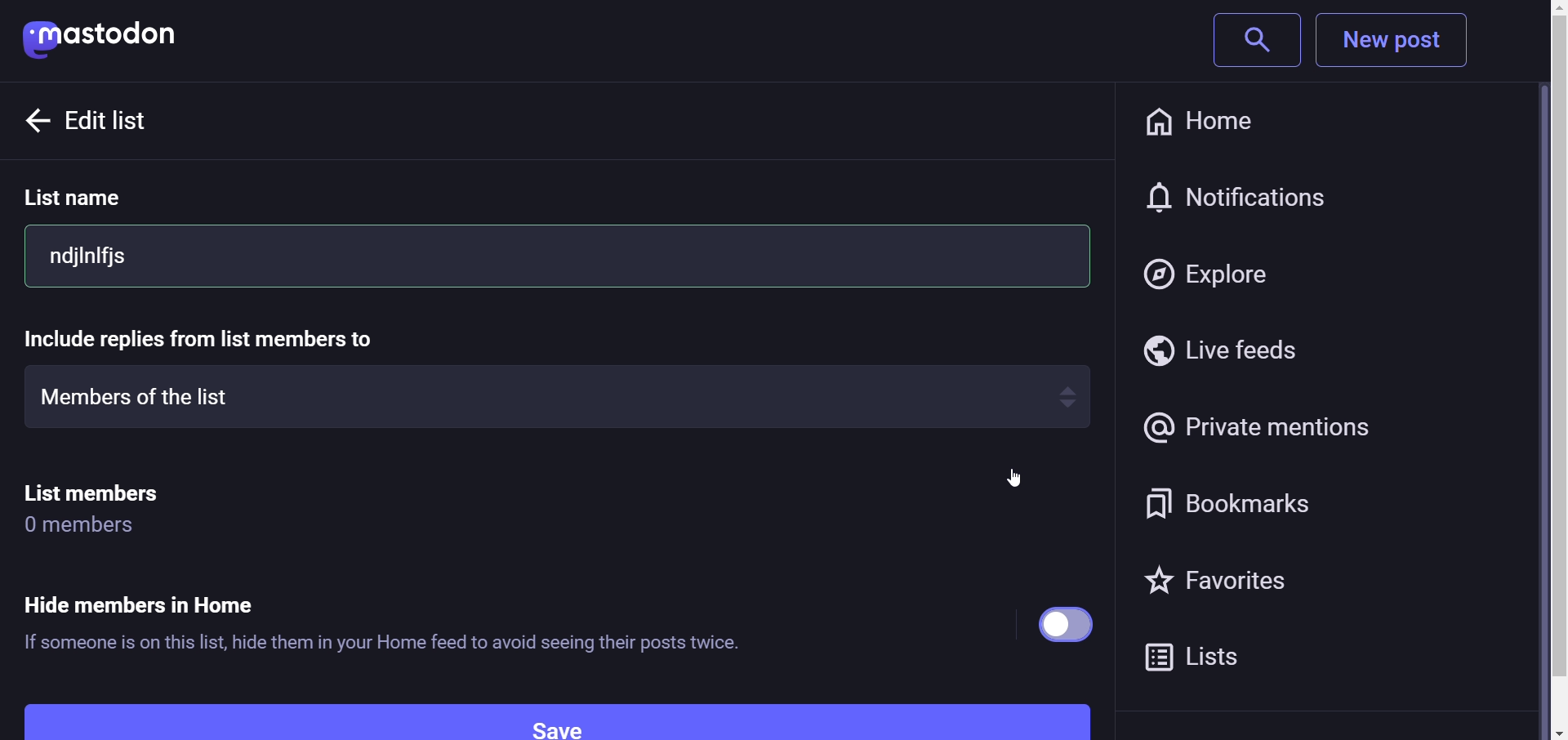  I want to click on lists, so click(1201, 658).